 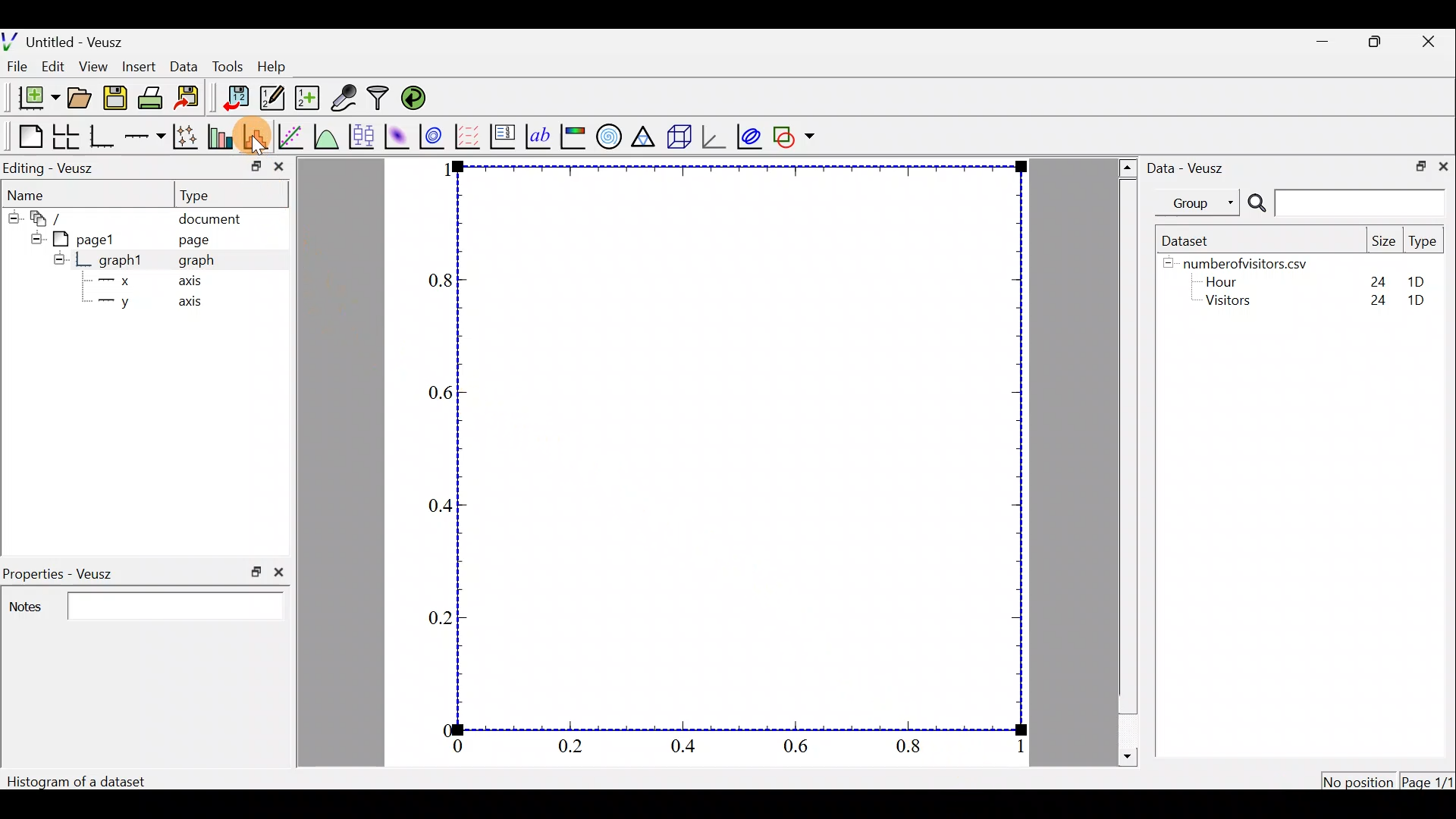 I want to click on document widget, so click(x=49, y=218).